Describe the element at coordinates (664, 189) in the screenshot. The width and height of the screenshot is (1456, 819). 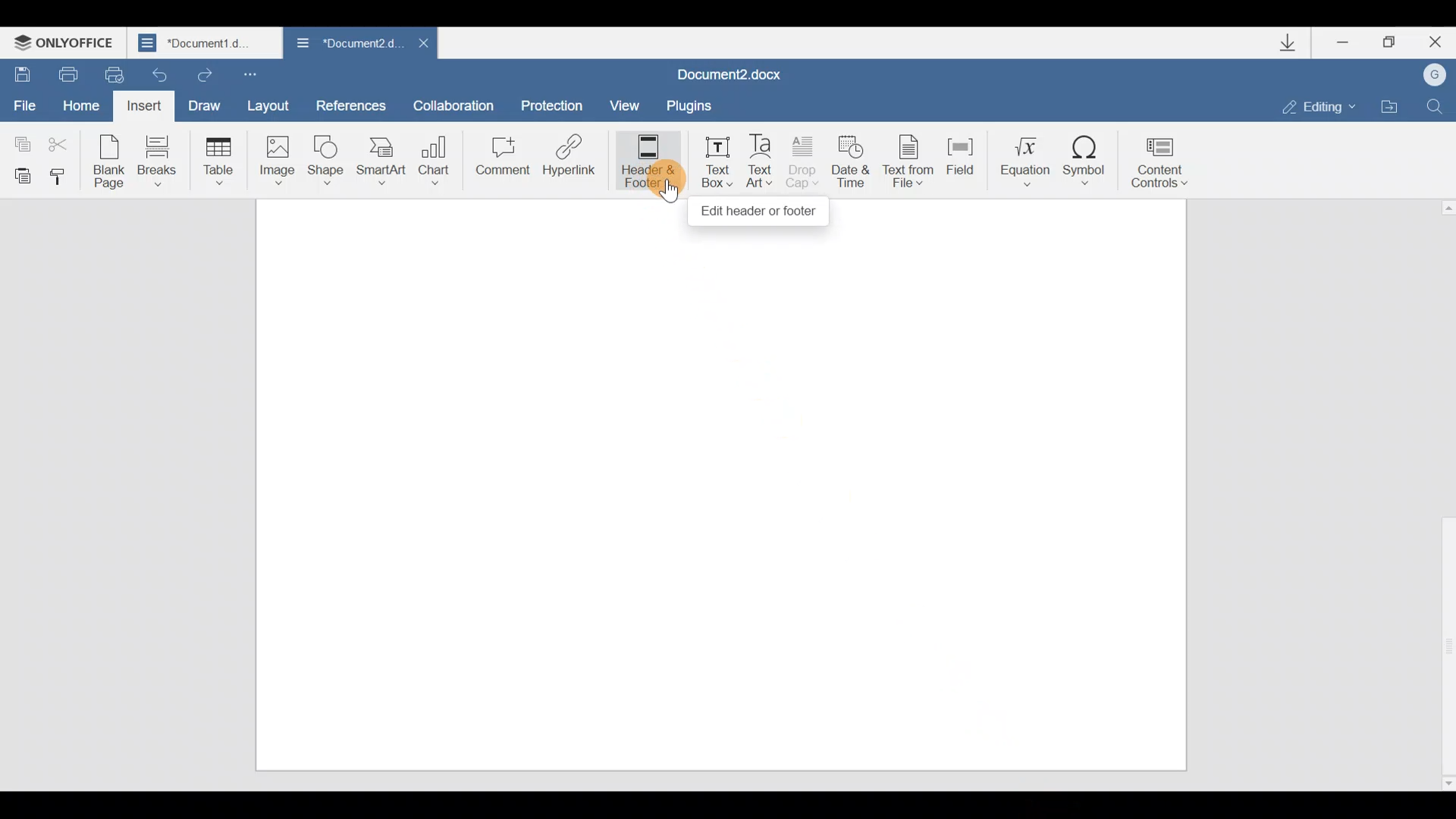
I see `typing cursor` at that location.